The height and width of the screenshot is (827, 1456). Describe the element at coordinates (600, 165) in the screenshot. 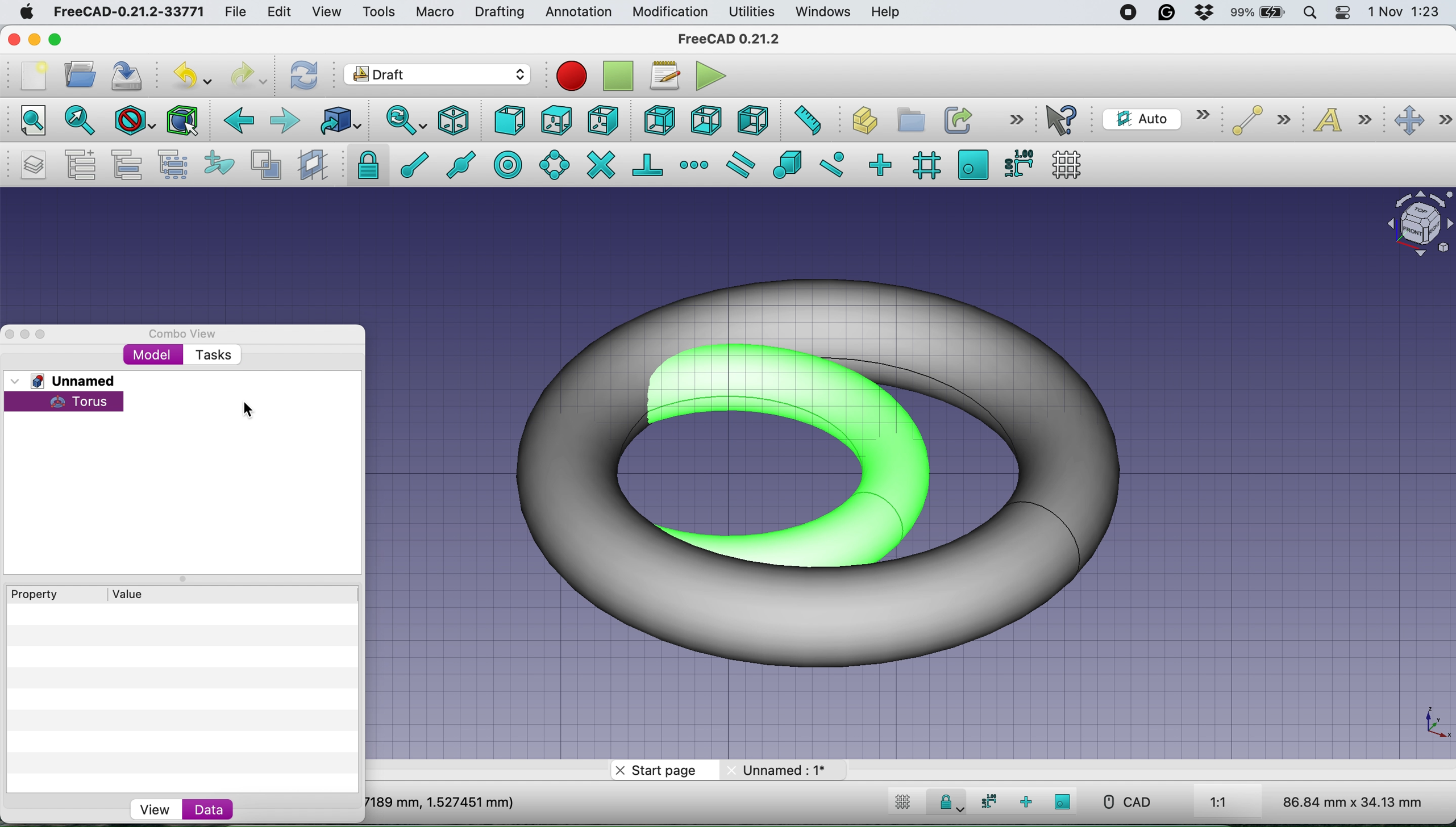

I see `snap intersection` at that location.